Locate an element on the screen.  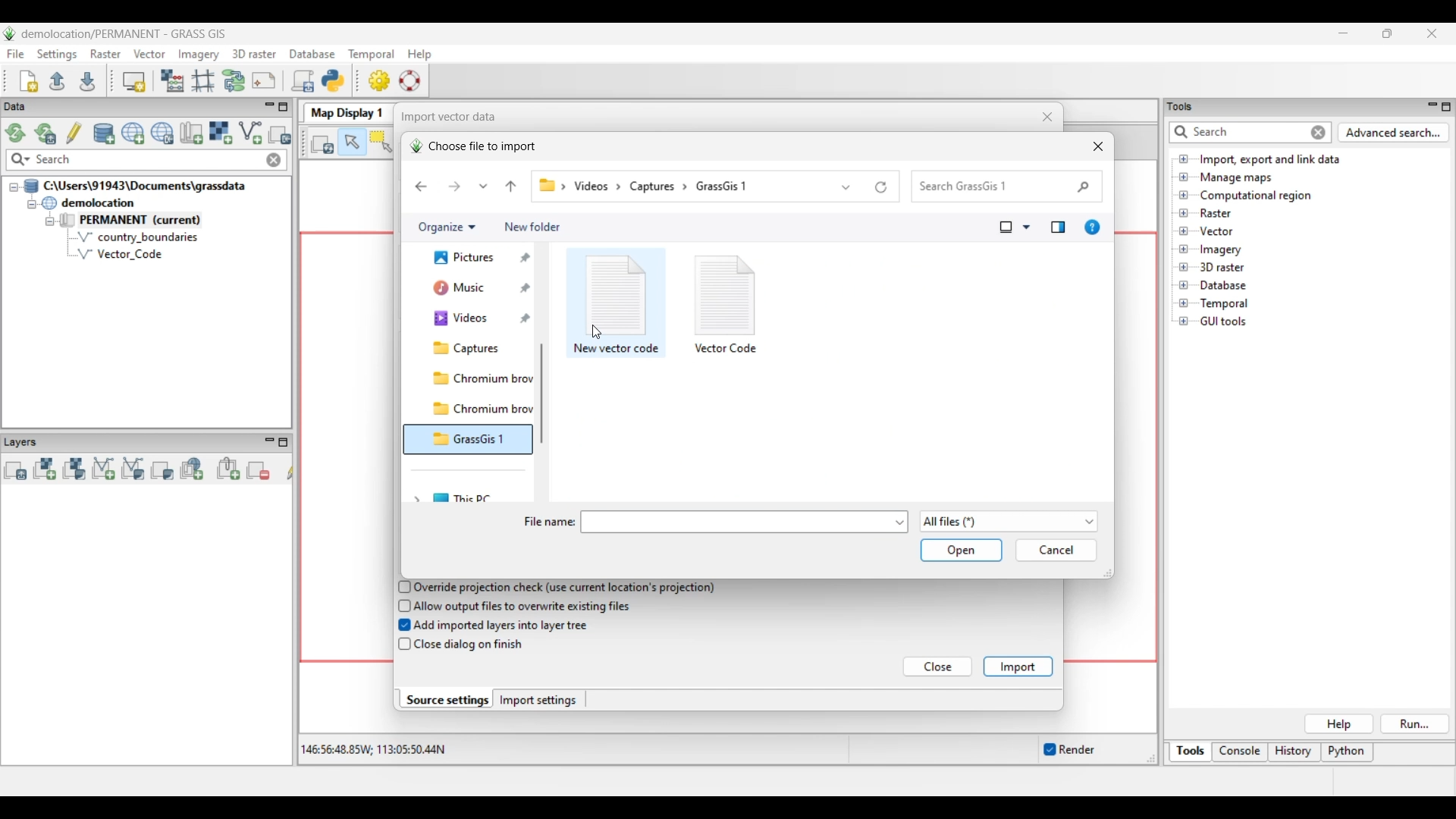
Click to open Computational region is located at coordinates (1184, 195).